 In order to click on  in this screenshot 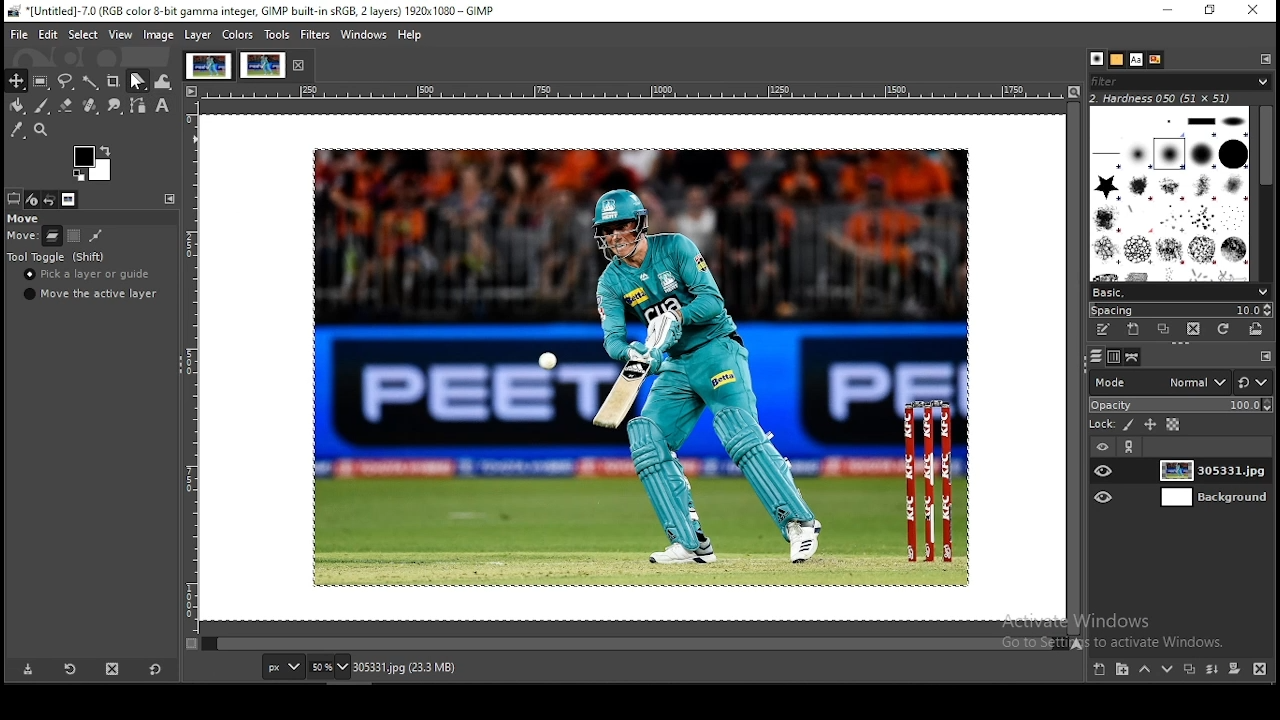, I will do `click(66, 105)`.